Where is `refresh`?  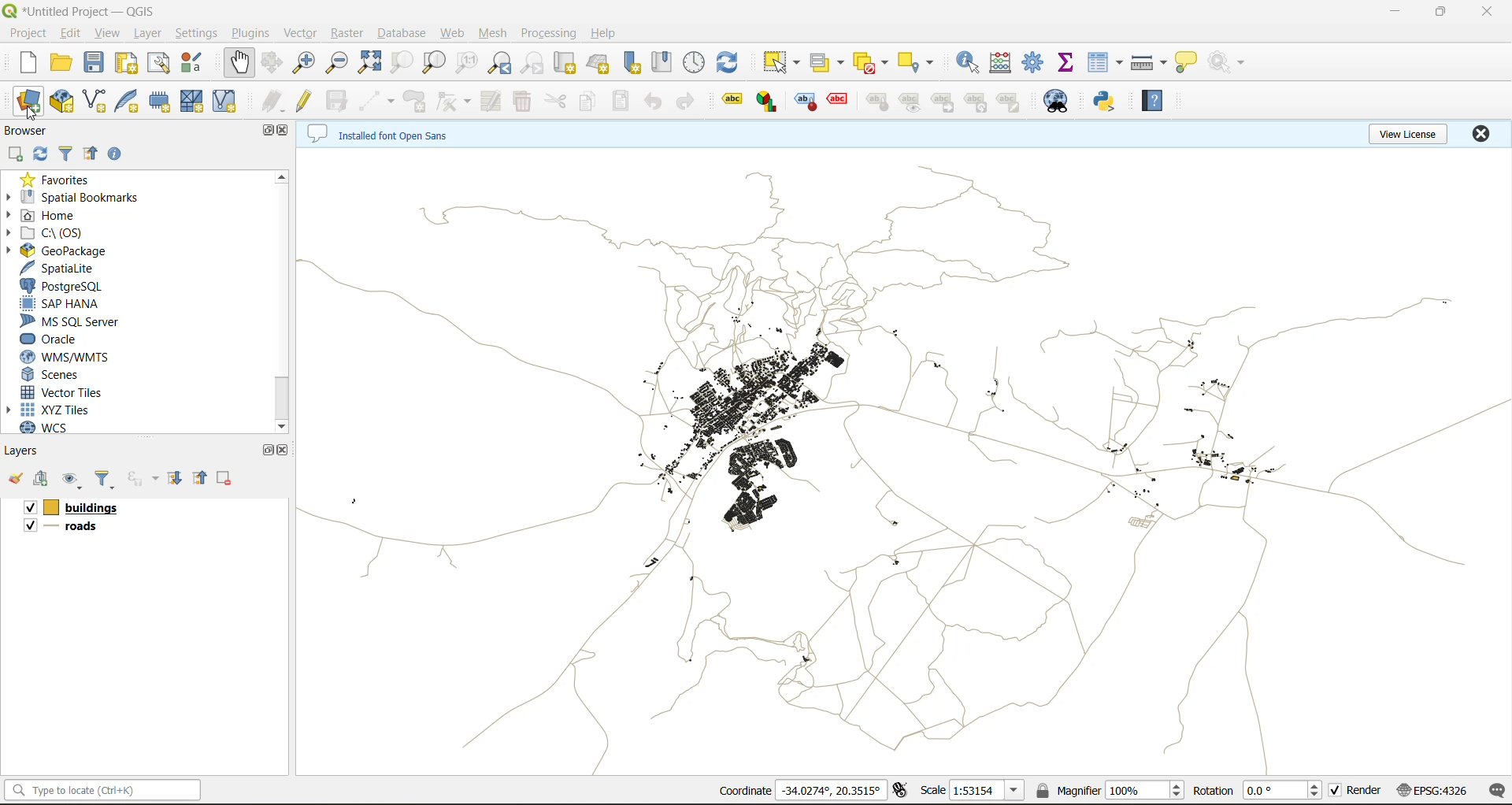
refresh is located at coordinates (728, 65).